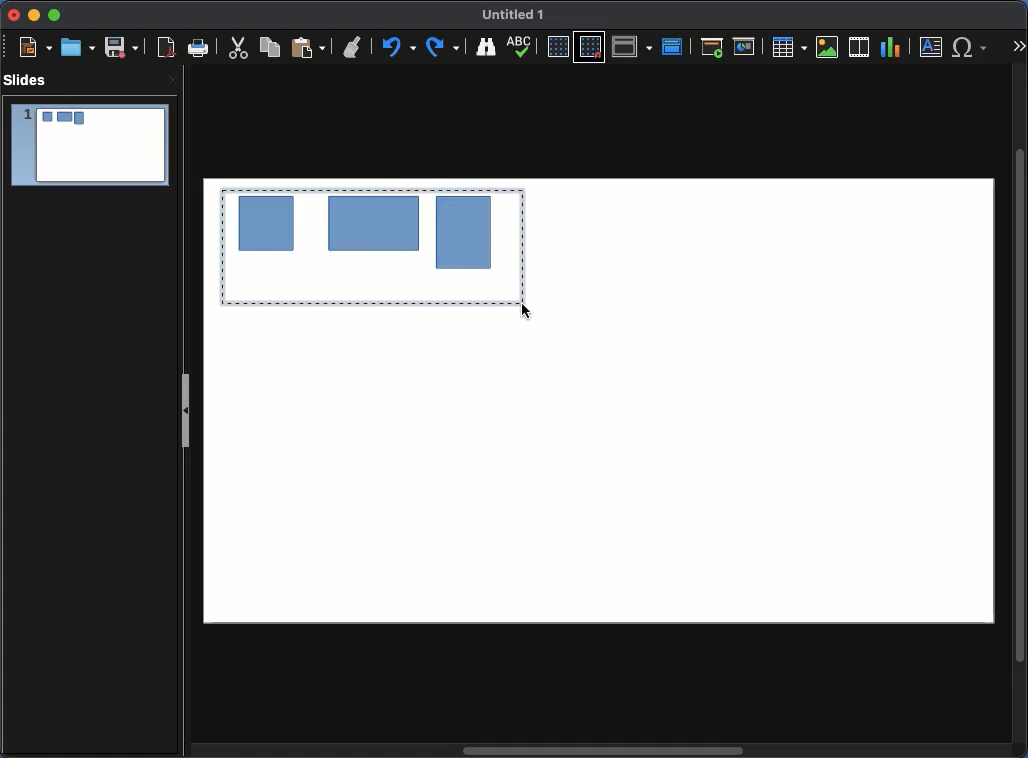  I want to click on Close, so click(14, 16).